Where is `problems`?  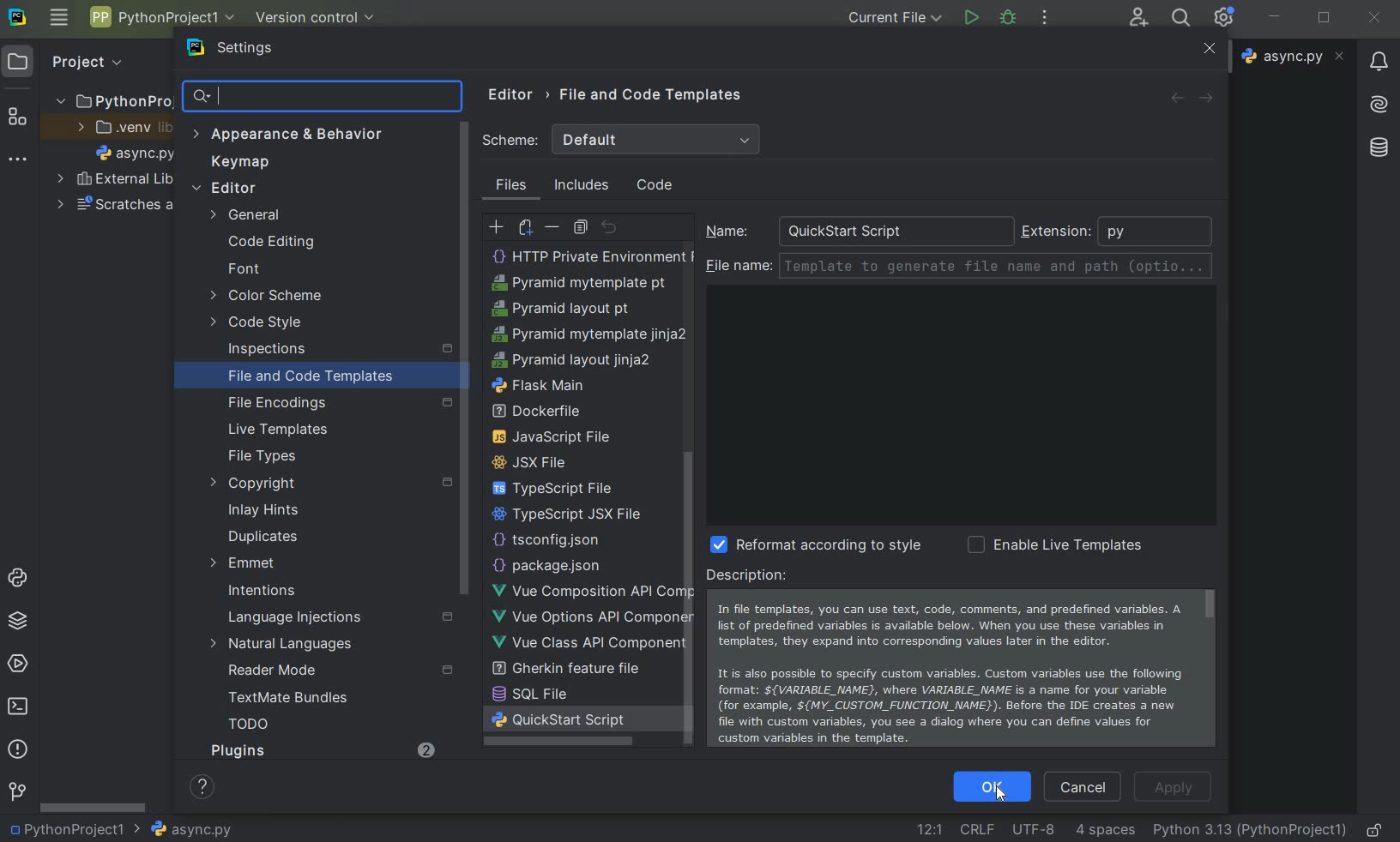
problems is located at coordinates (17, 748).